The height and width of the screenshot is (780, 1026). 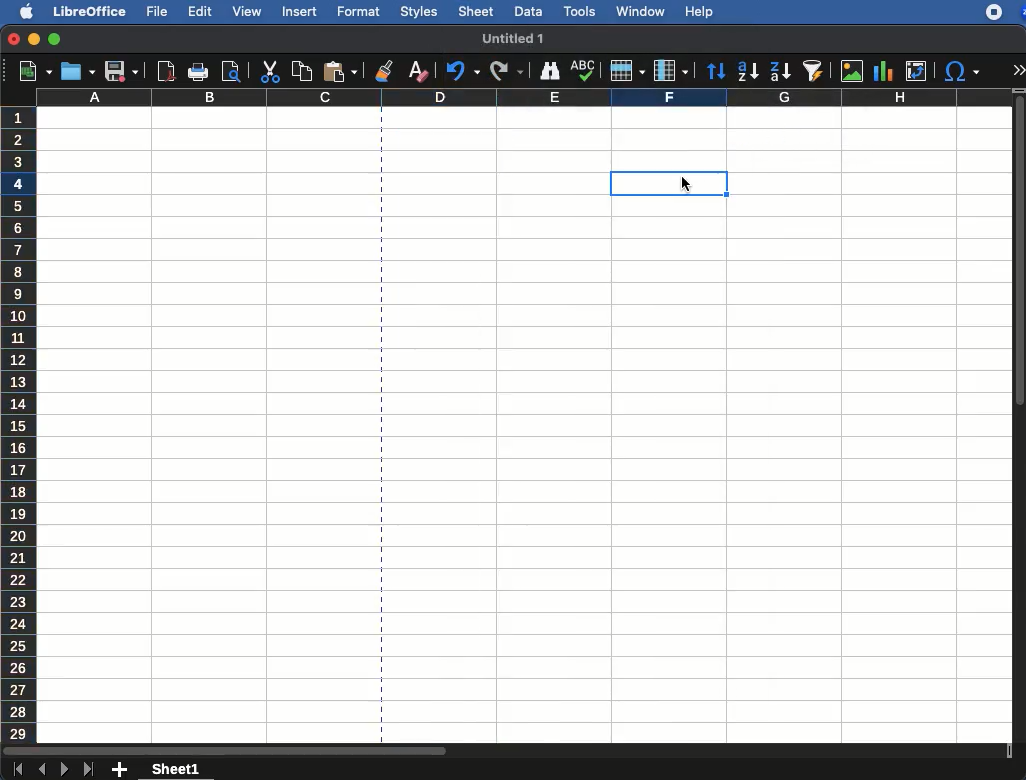 I want to click on data, so click(x=528, y=10).